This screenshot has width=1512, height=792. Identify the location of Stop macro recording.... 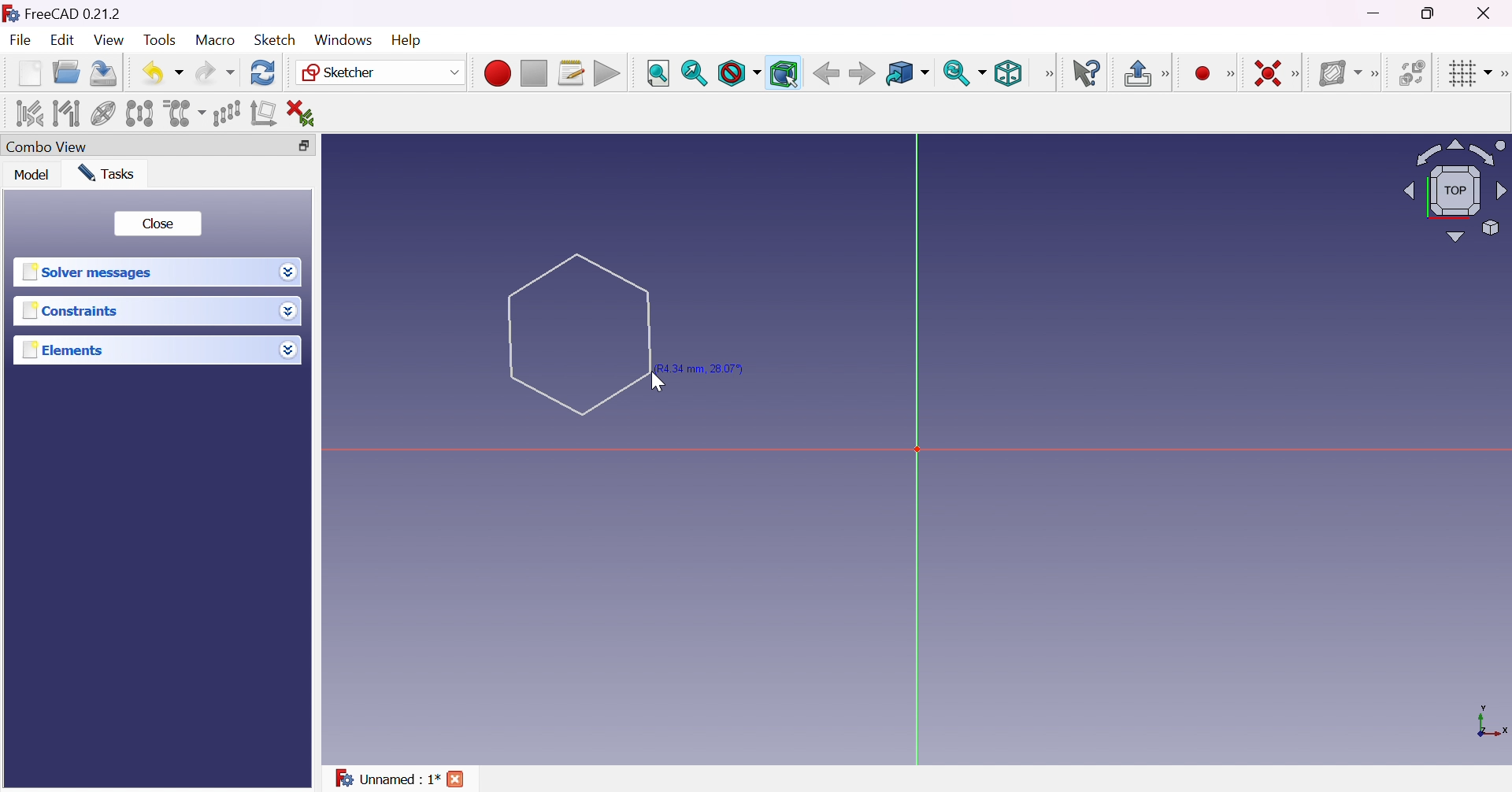
(535, 74).